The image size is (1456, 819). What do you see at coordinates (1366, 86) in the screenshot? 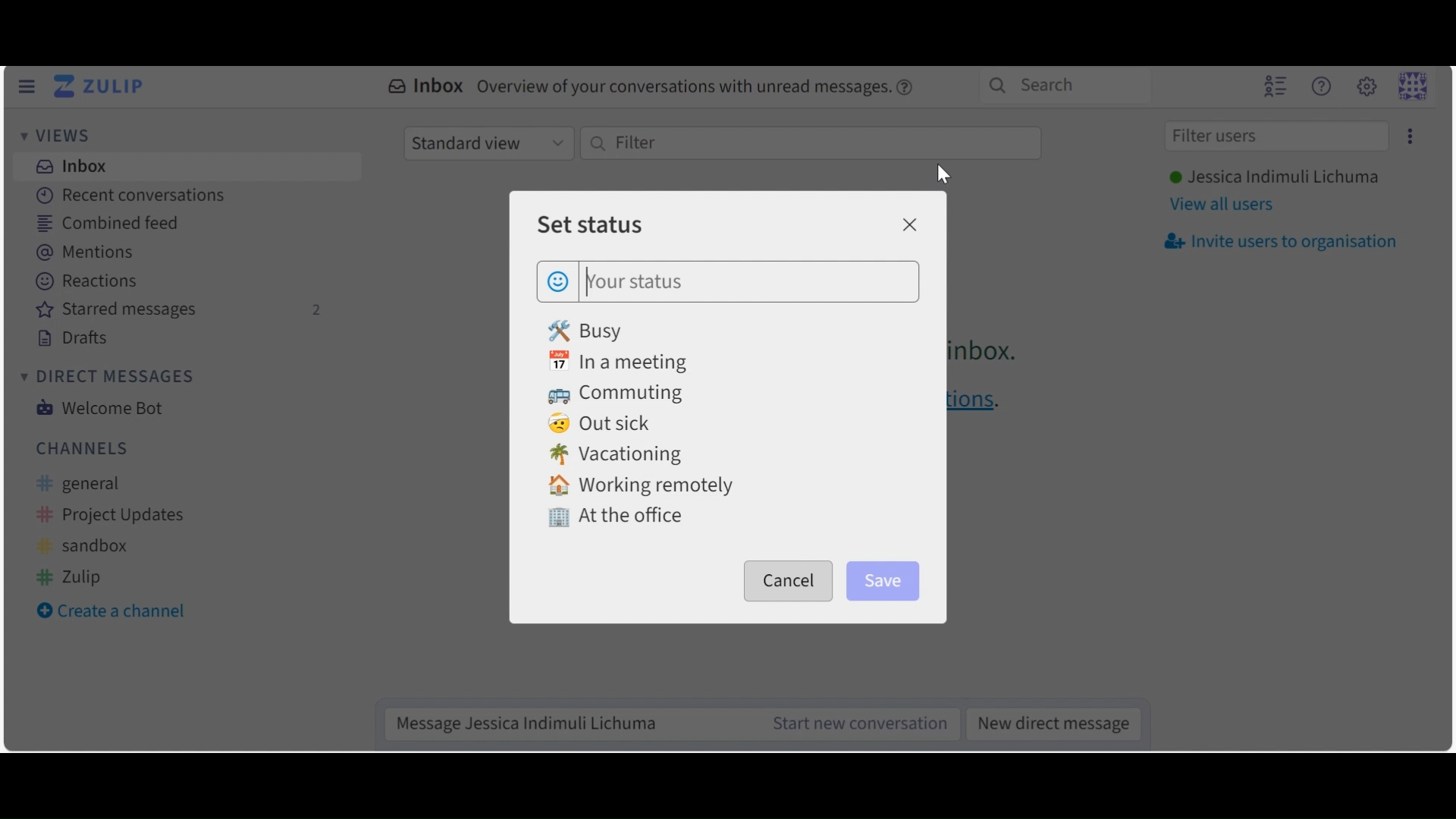
I see `Main menu` at bounding box center [1366, 86].